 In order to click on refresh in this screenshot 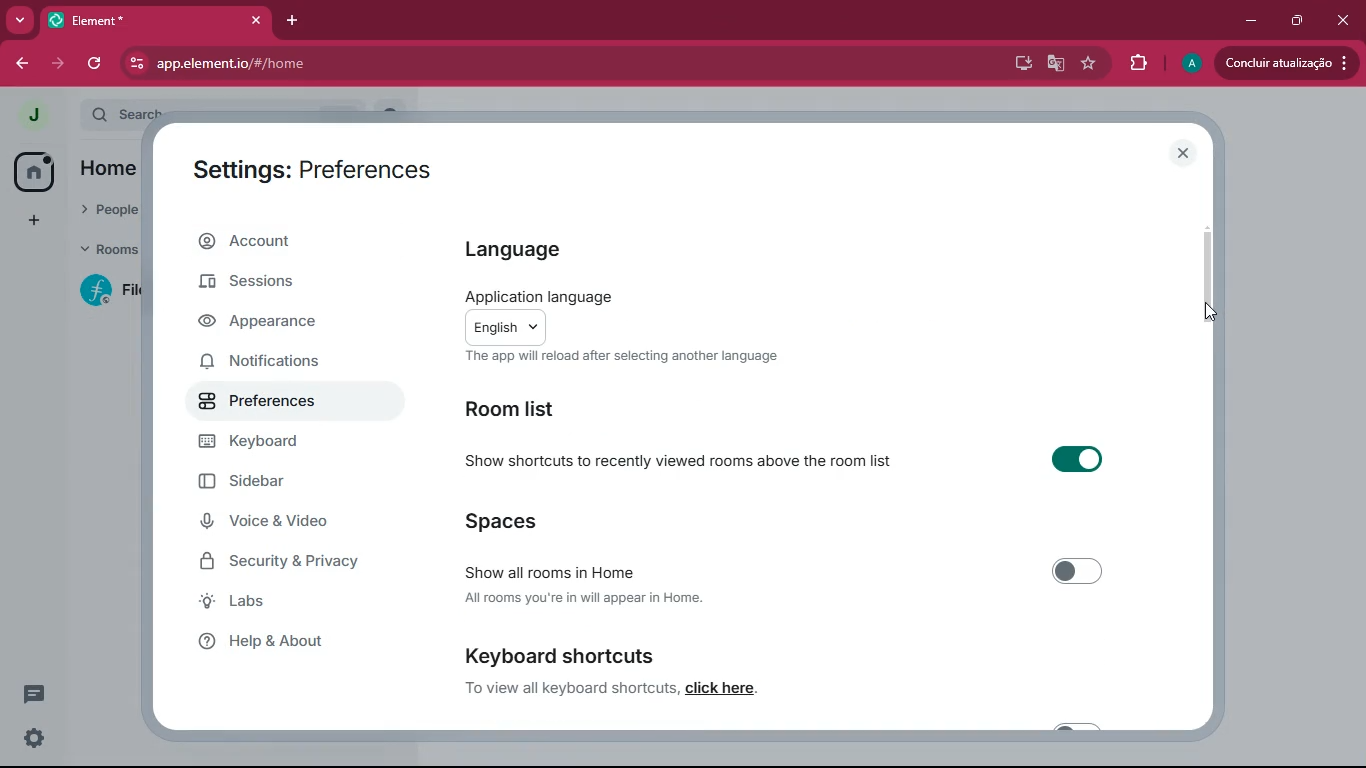, I will do `click(97, 63)`.